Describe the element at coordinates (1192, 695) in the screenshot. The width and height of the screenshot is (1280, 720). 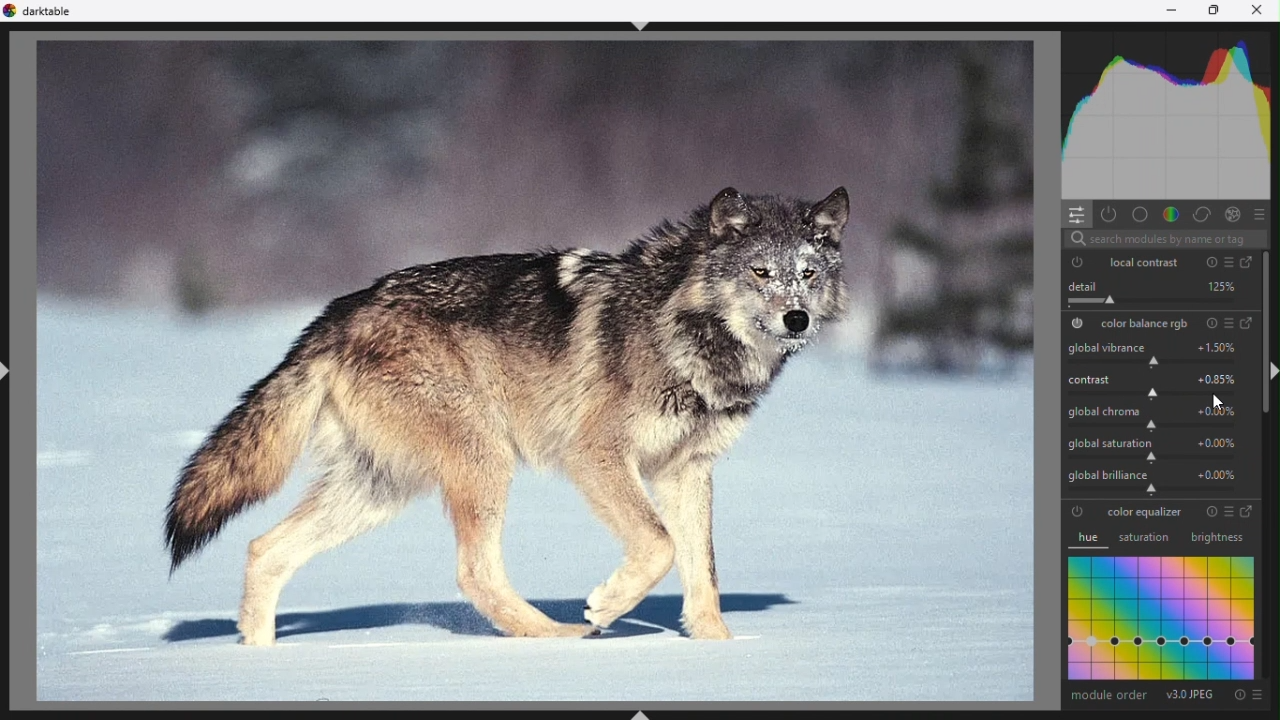
I see `version 3.0 JPEG` at that location.